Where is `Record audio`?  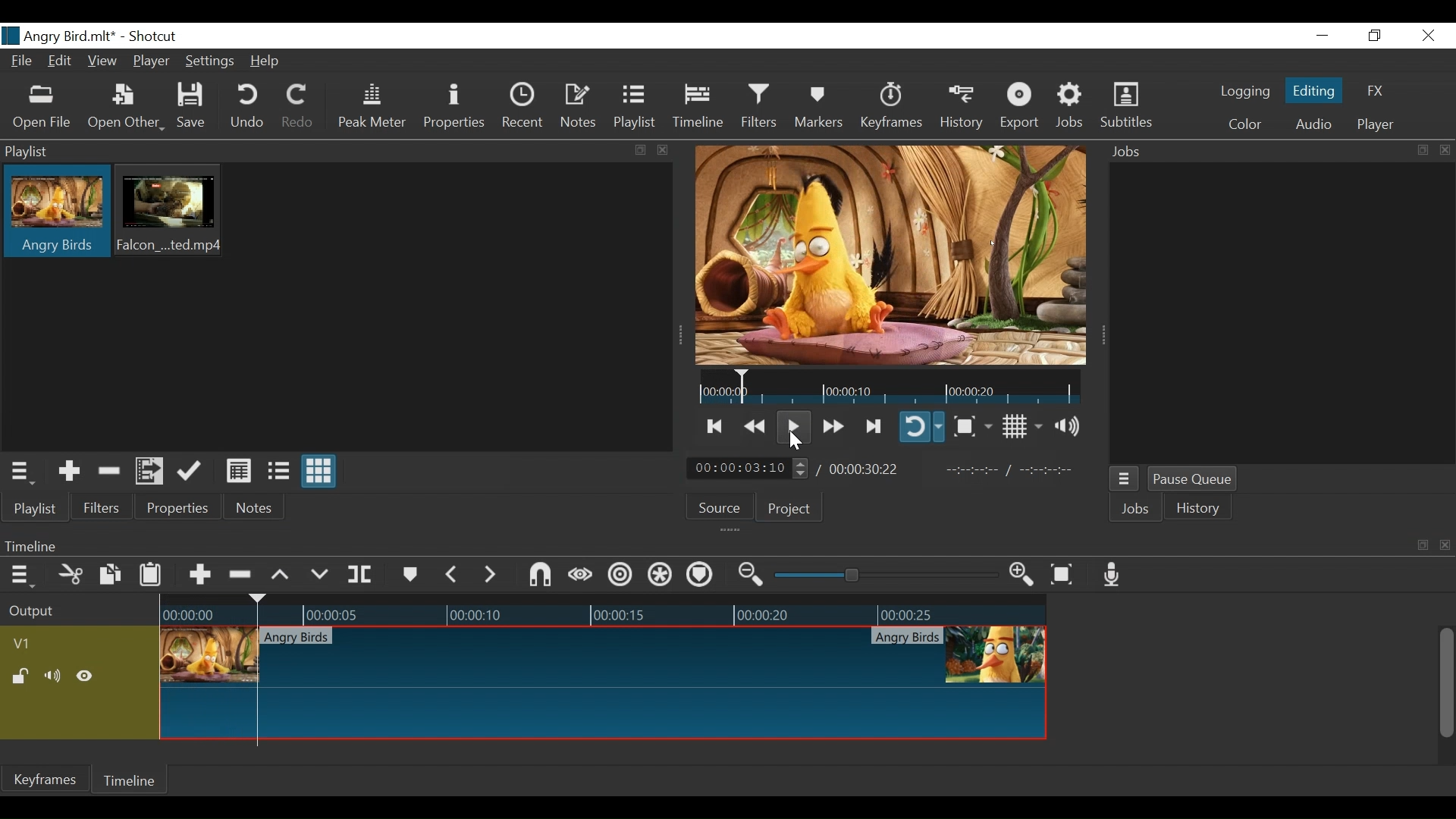 Record audio is located at coordinates (1112, 576).